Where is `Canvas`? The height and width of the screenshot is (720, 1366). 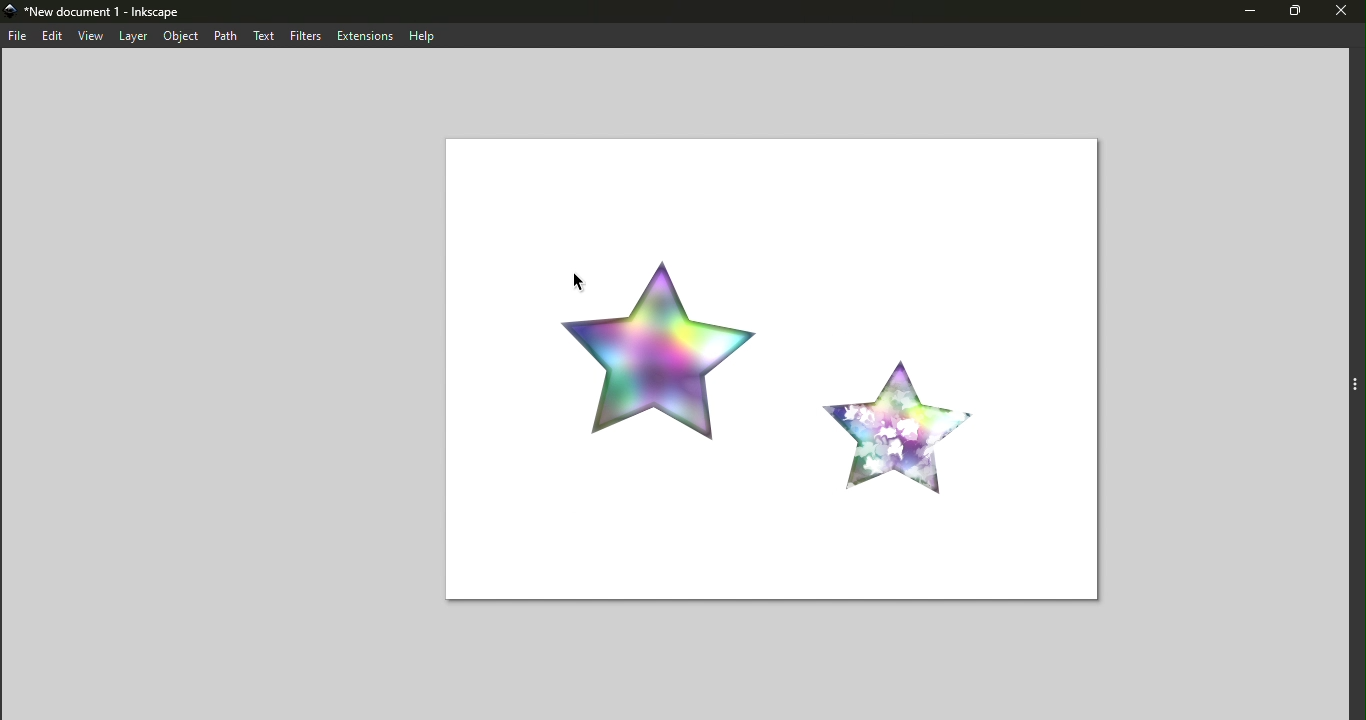 Canvas is located at coordinates (778, 374).